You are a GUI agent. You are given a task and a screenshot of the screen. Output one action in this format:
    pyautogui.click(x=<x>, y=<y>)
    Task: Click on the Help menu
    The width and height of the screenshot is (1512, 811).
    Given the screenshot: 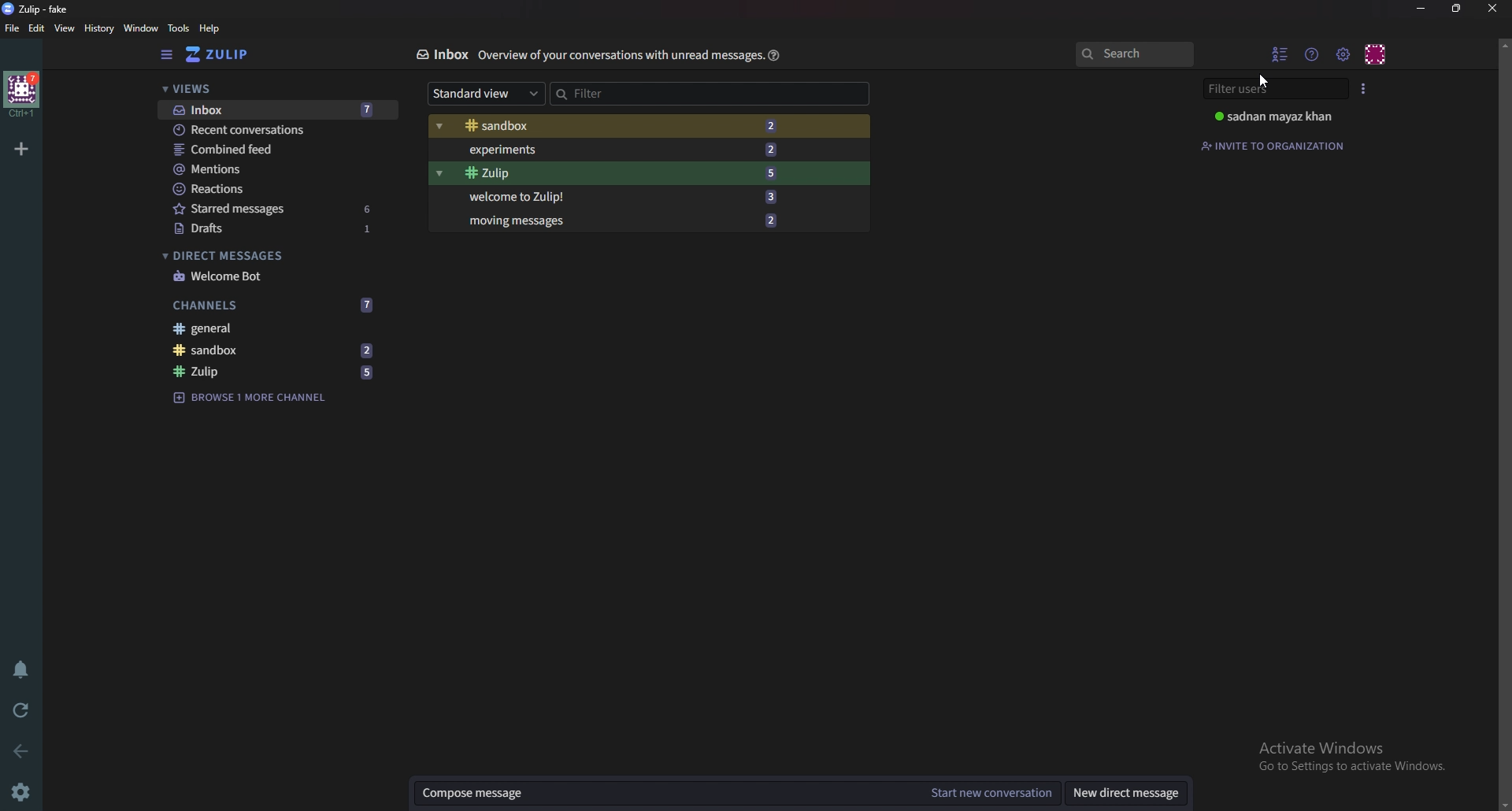 What is the action you would take?
    pyautogui.click(x=1314, y=54)
    